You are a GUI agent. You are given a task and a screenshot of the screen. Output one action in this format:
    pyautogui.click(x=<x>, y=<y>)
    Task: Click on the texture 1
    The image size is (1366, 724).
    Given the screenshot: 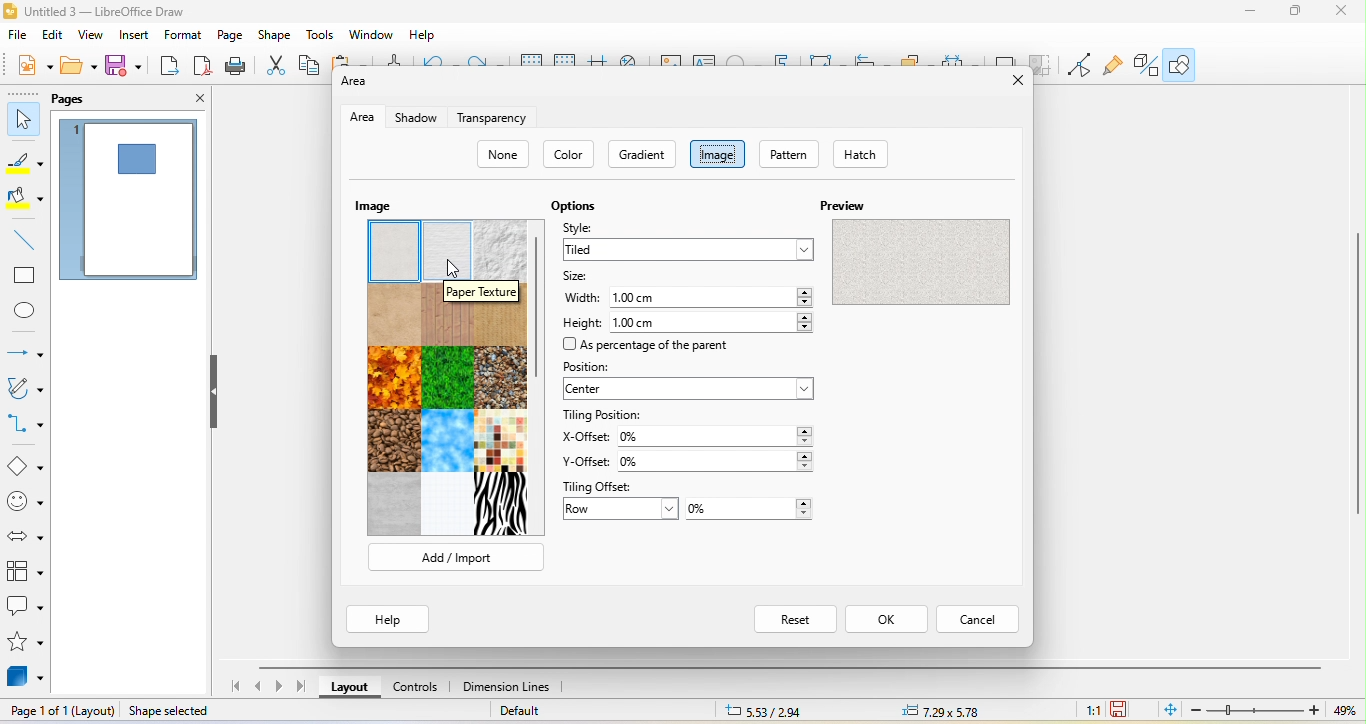 What is the action you would take?
    pyautogui.click(x=393, y=251)
    